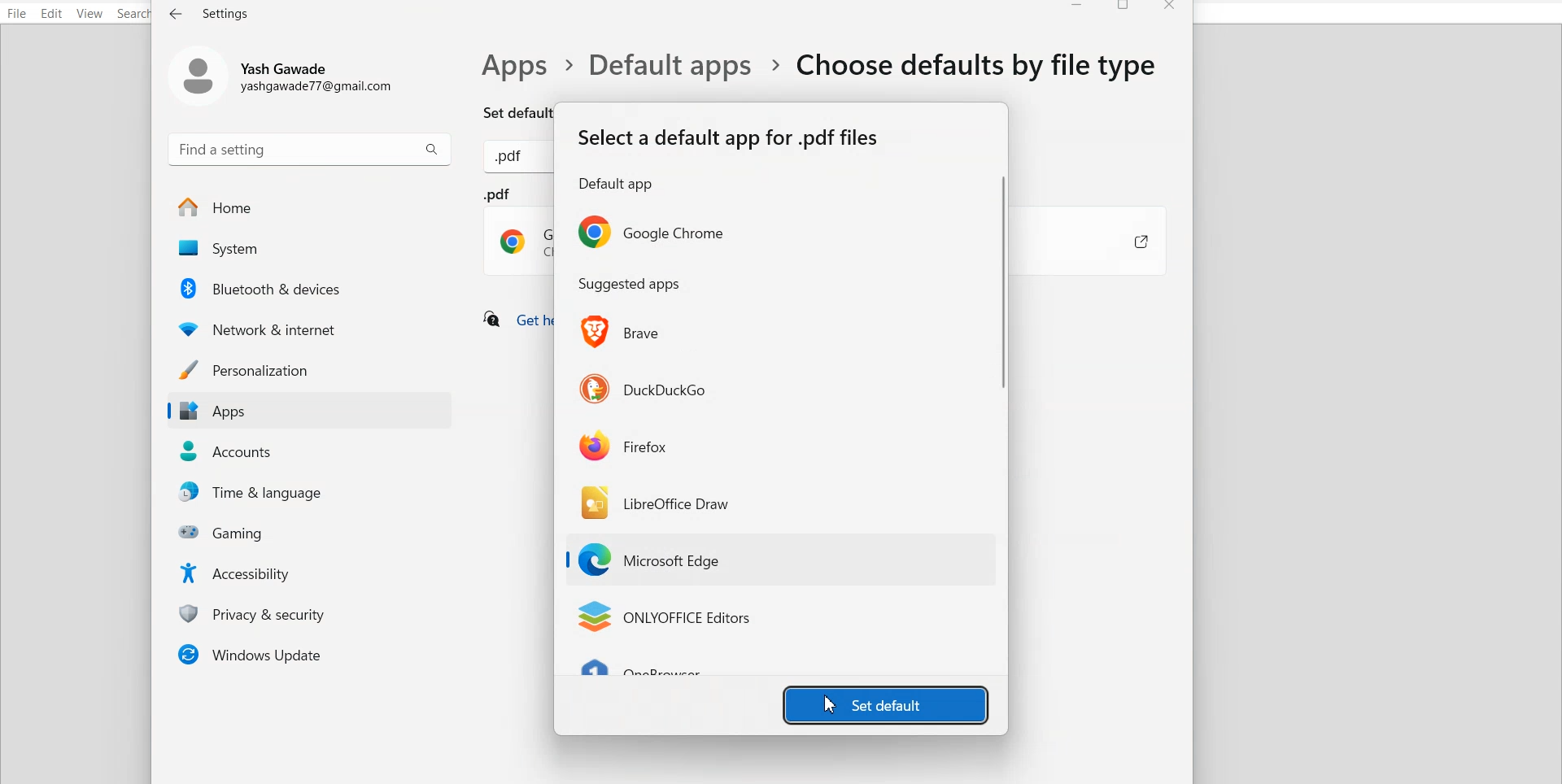 The height and width of the screenshot is (784, 1562). Describe the element at coordinates (312, 288) in the screenshot. I see `Bluetooth & Devices` at that location.